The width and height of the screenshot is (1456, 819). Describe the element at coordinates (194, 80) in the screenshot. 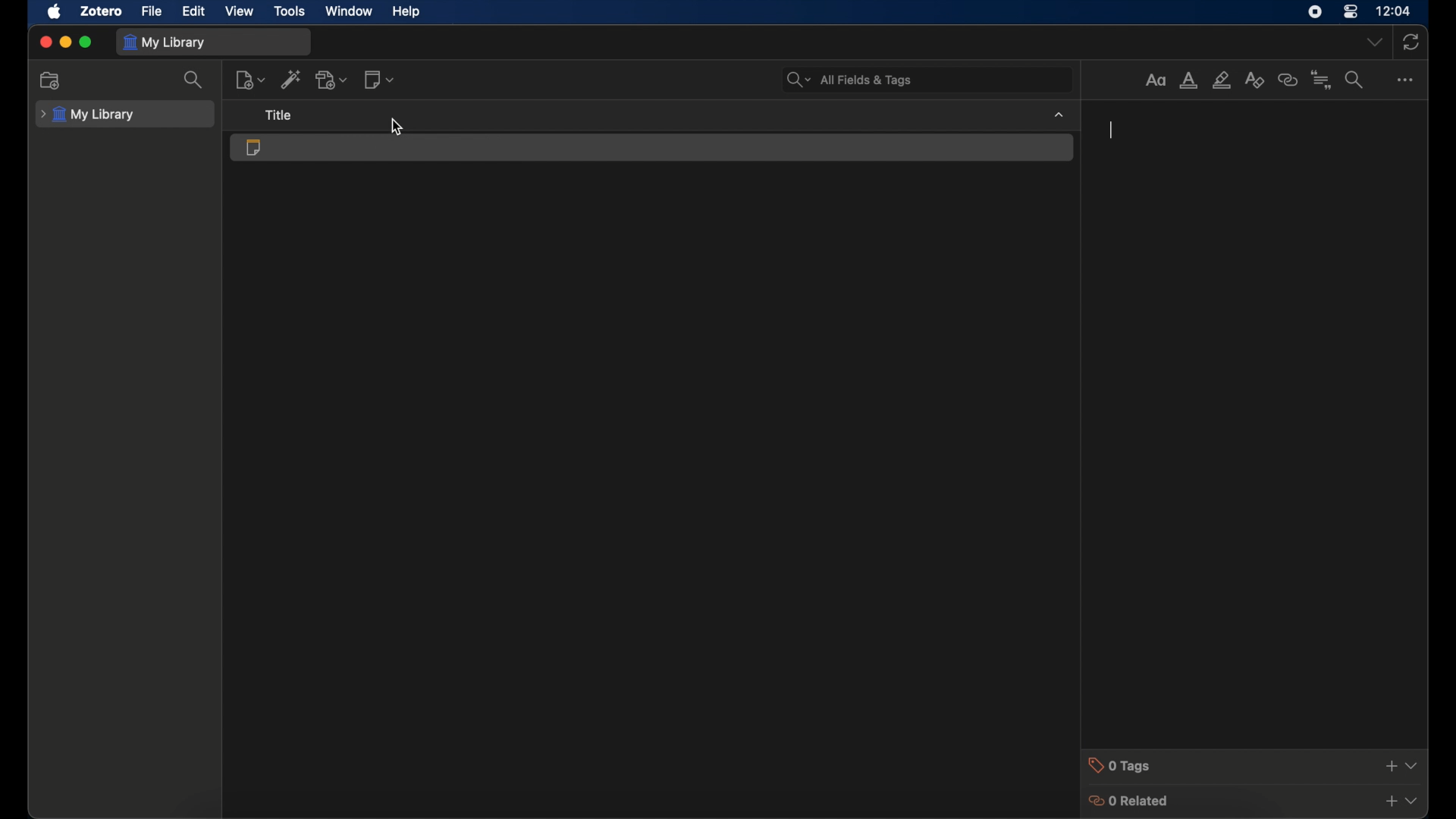

I see `search` at that location.